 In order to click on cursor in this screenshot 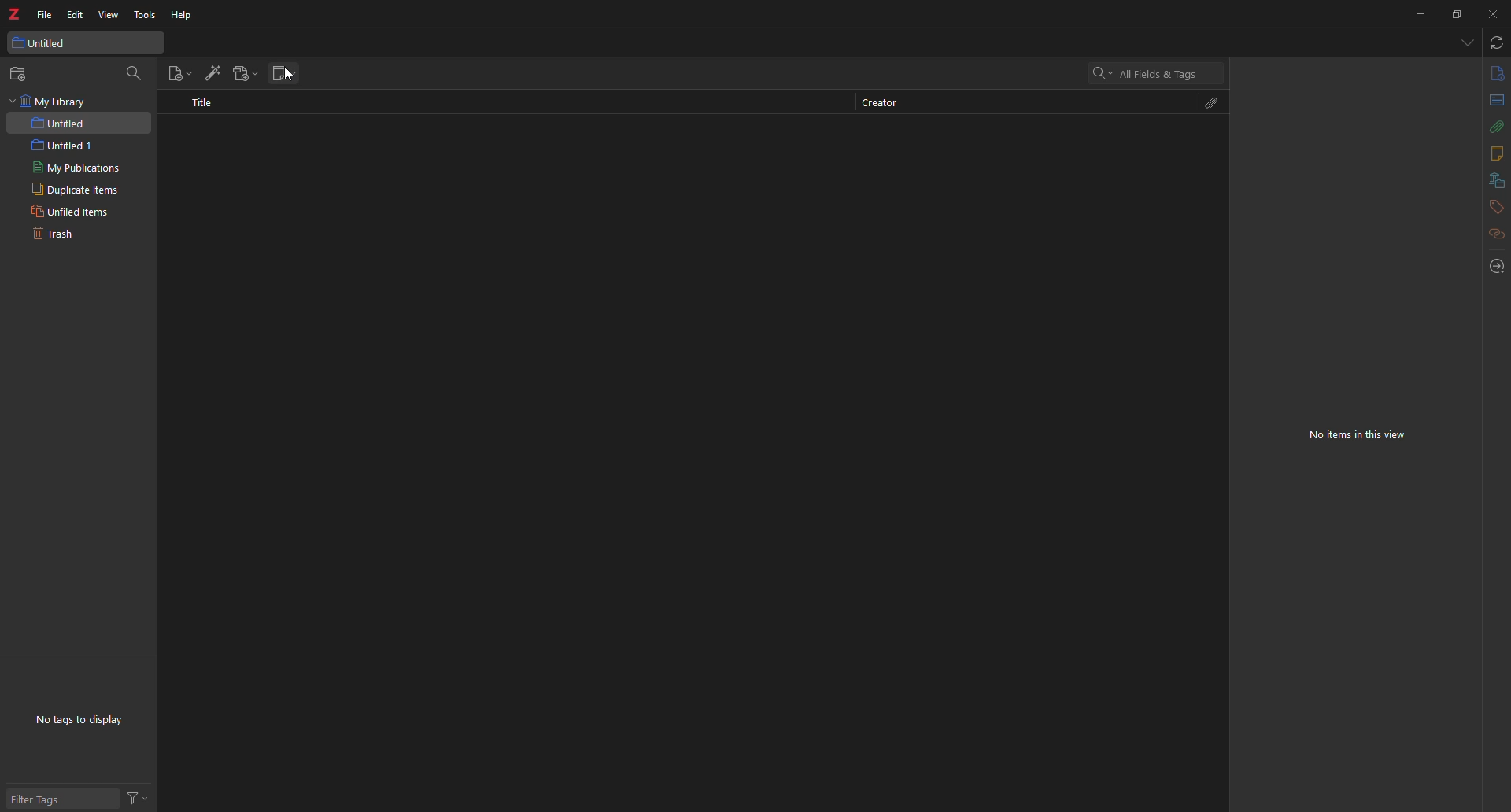, I will do `click(293, 80)`.